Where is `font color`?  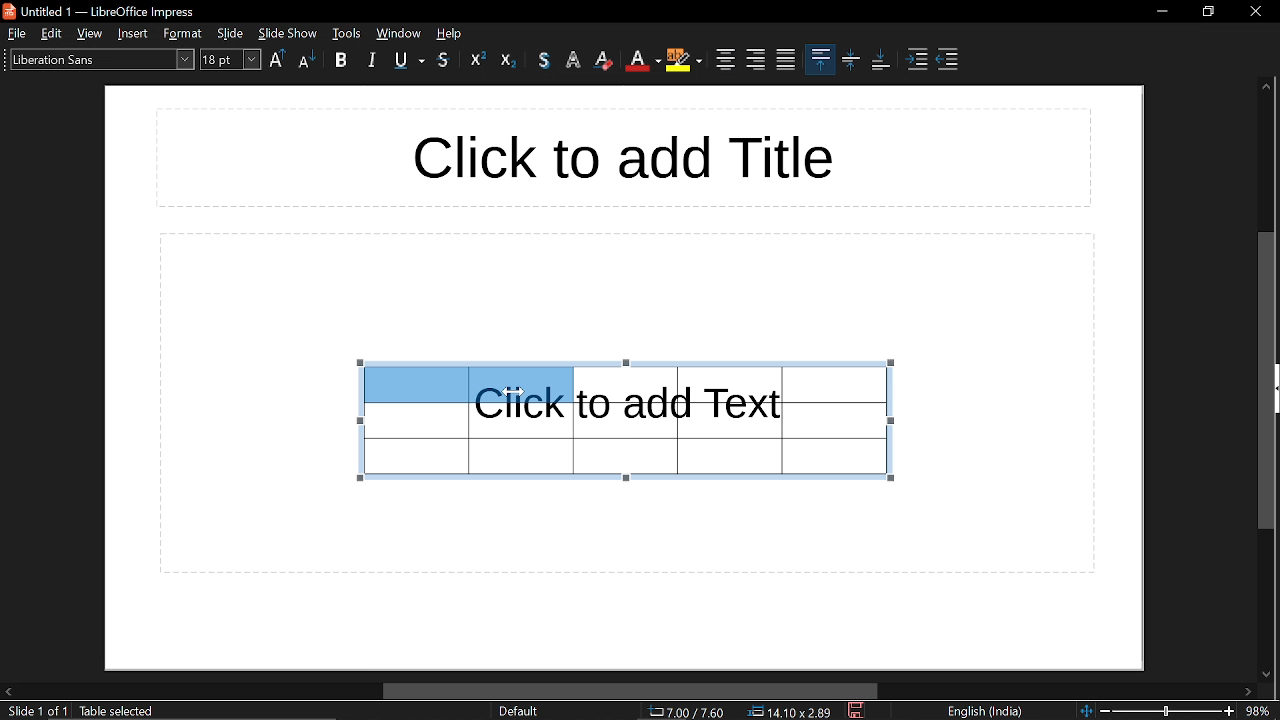
font color is located at coordinates (642, 61).